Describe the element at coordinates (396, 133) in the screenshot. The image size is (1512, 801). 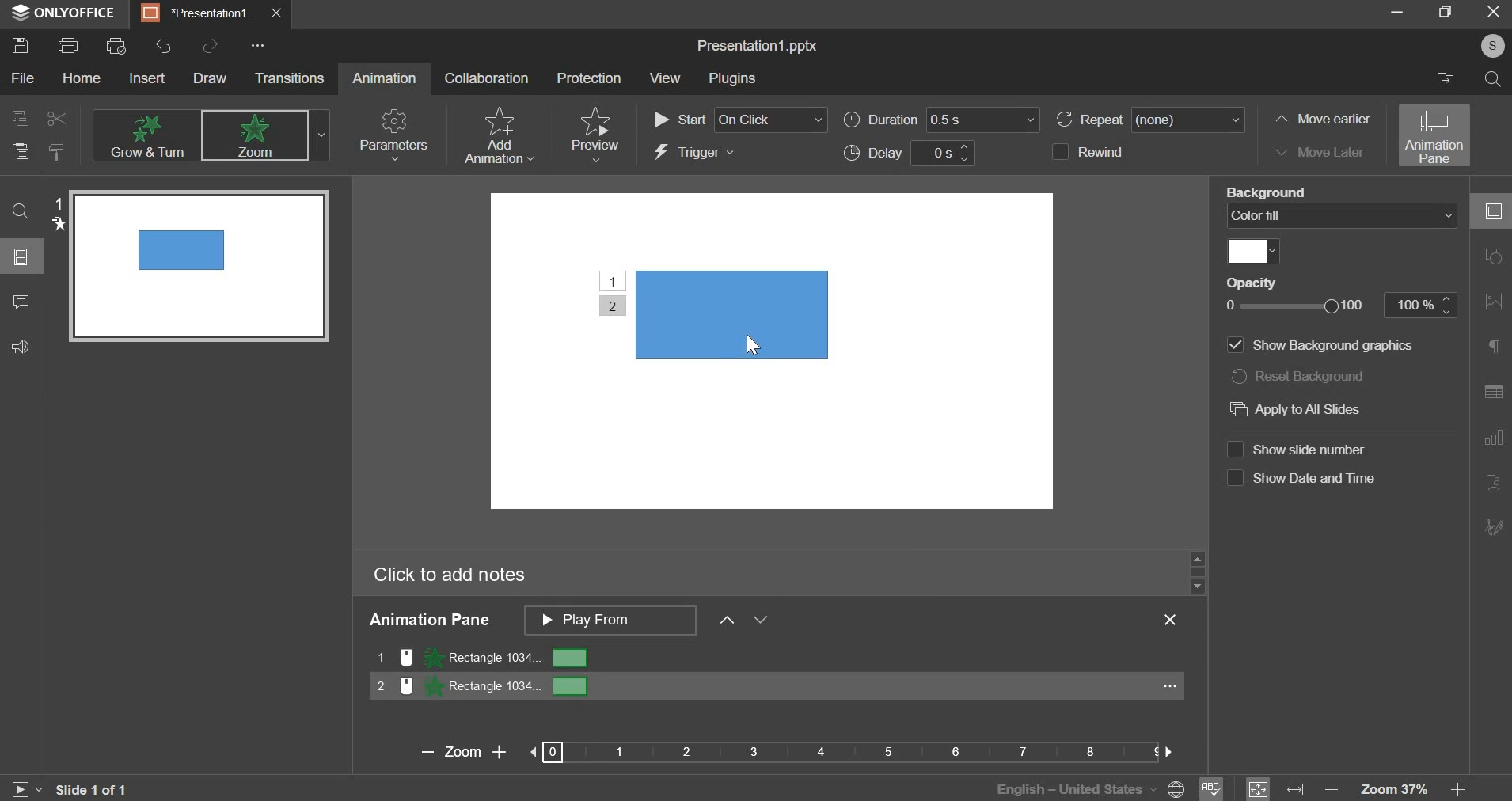
I see `parameters` at that location.